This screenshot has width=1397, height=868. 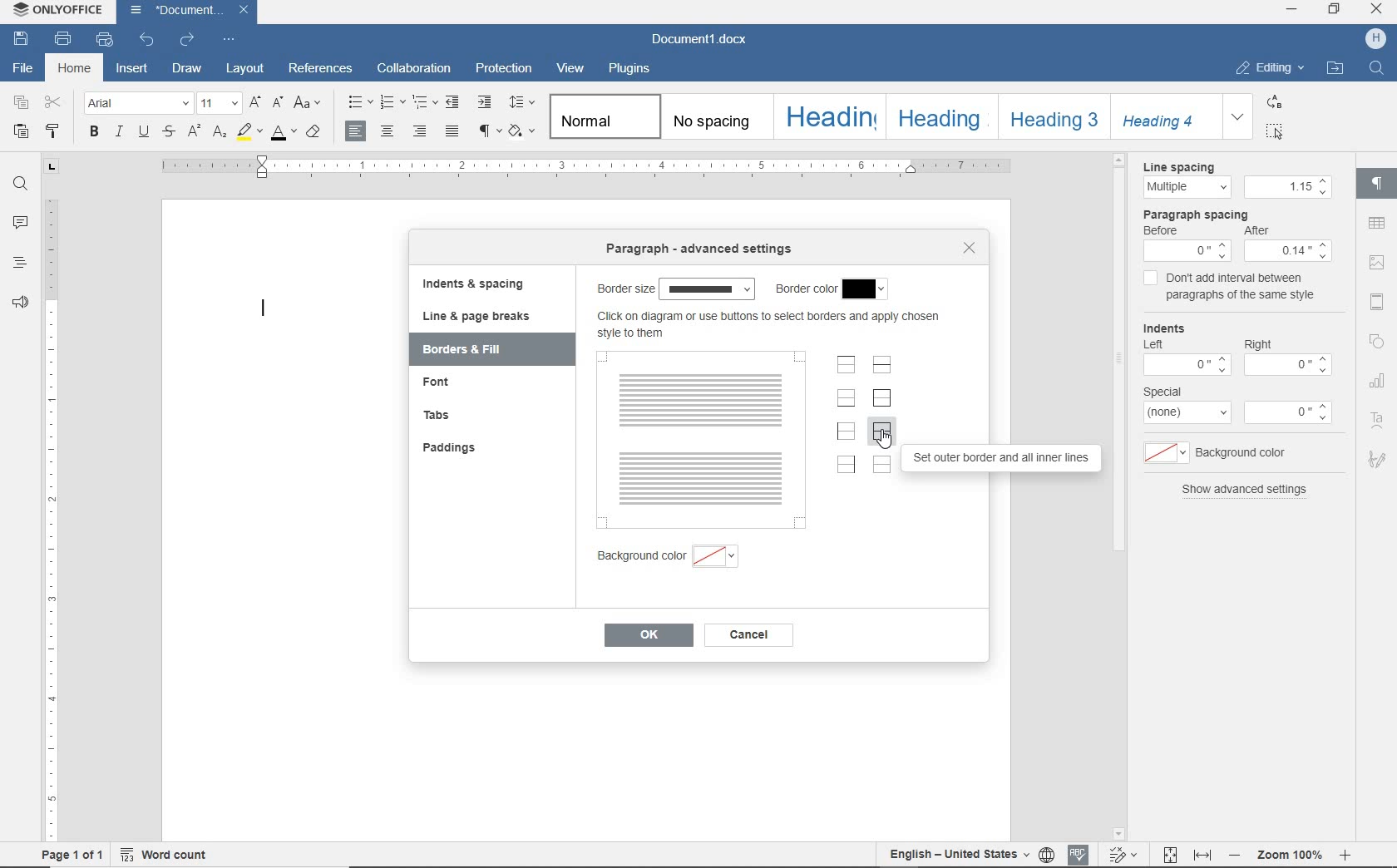 What do you see at coordinates (120, 133) in the screenshot?
I see `italic` at bounding box center [120, 133].